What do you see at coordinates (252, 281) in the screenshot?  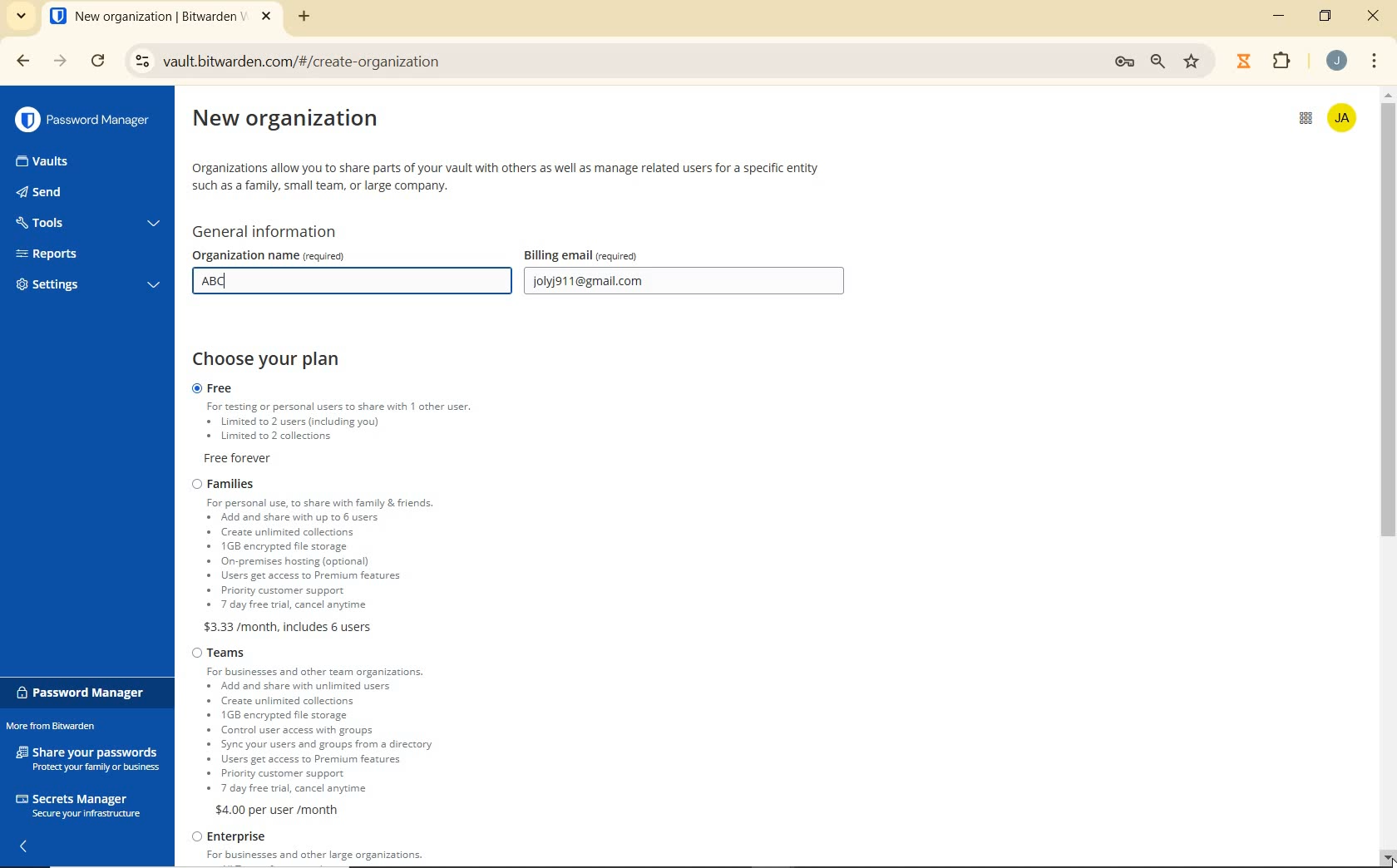 I see `ABC` at bounding box center [252, 281].